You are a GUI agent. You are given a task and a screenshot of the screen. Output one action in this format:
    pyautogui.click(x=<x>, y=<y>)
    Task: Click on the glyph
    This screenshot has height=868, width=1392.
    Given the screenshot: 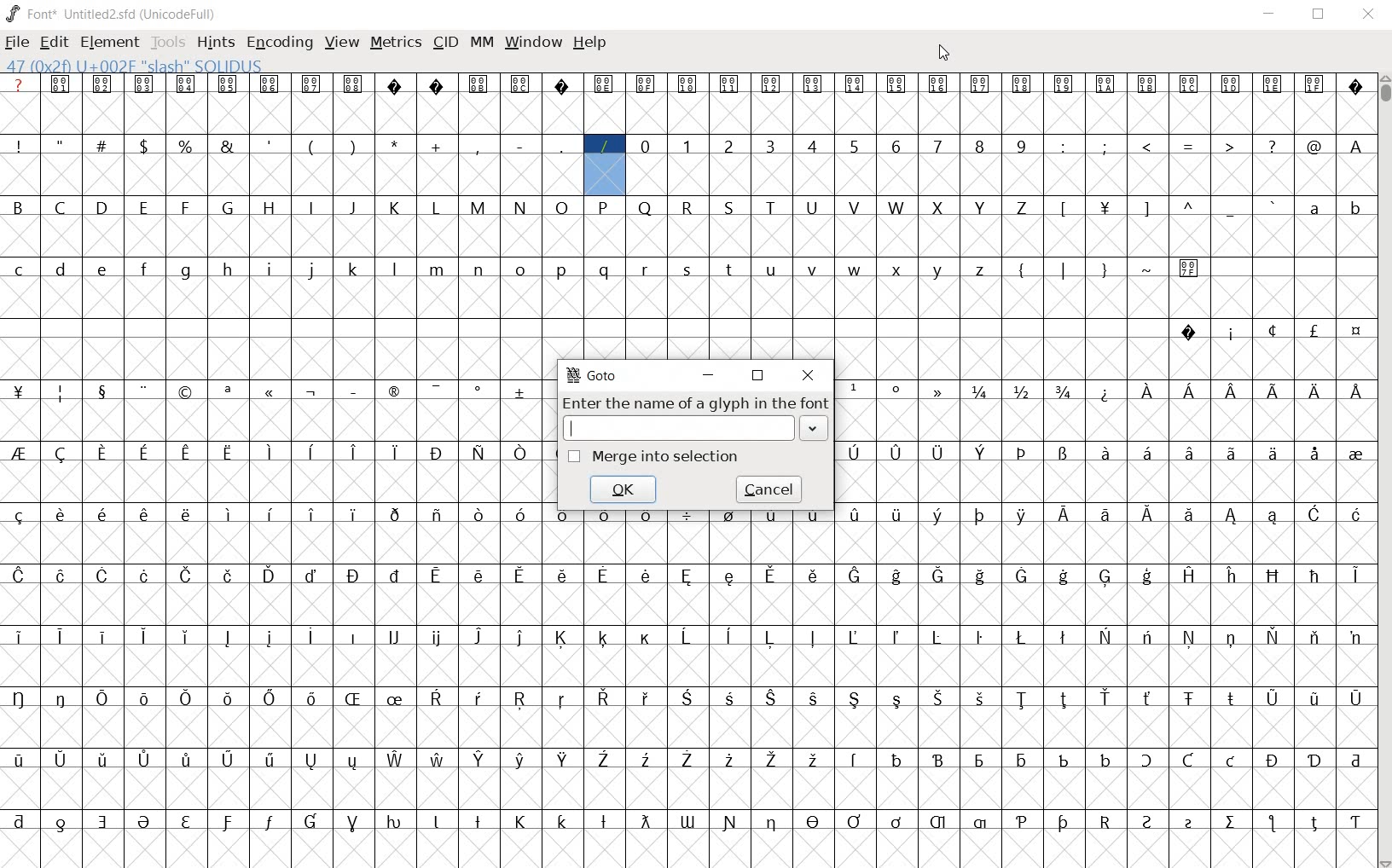 What is the action you would take?
    pyautogui.click(x=185, y=207)
    